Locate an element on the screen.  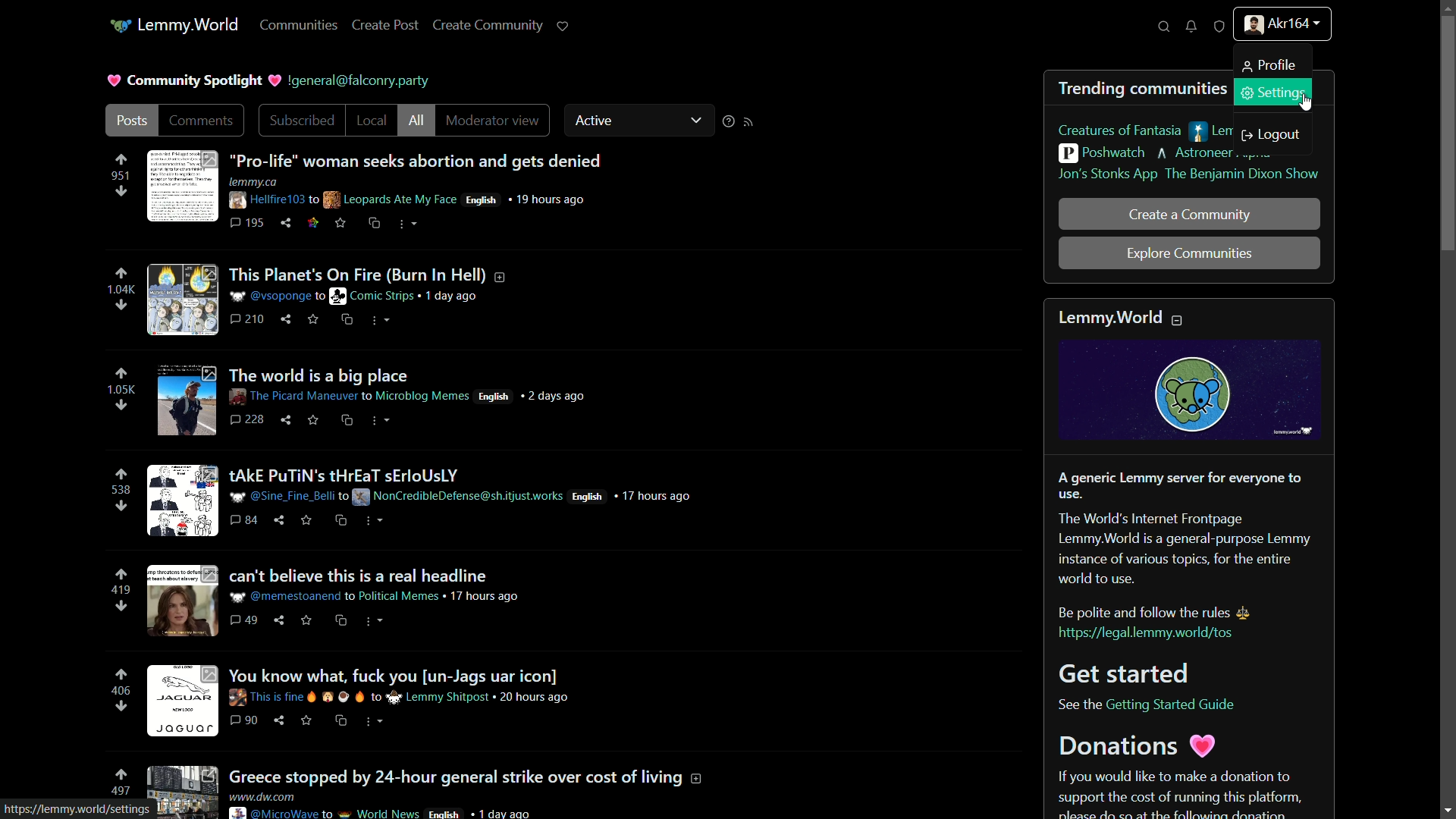
number of votes is located at coordinates (121, 389).